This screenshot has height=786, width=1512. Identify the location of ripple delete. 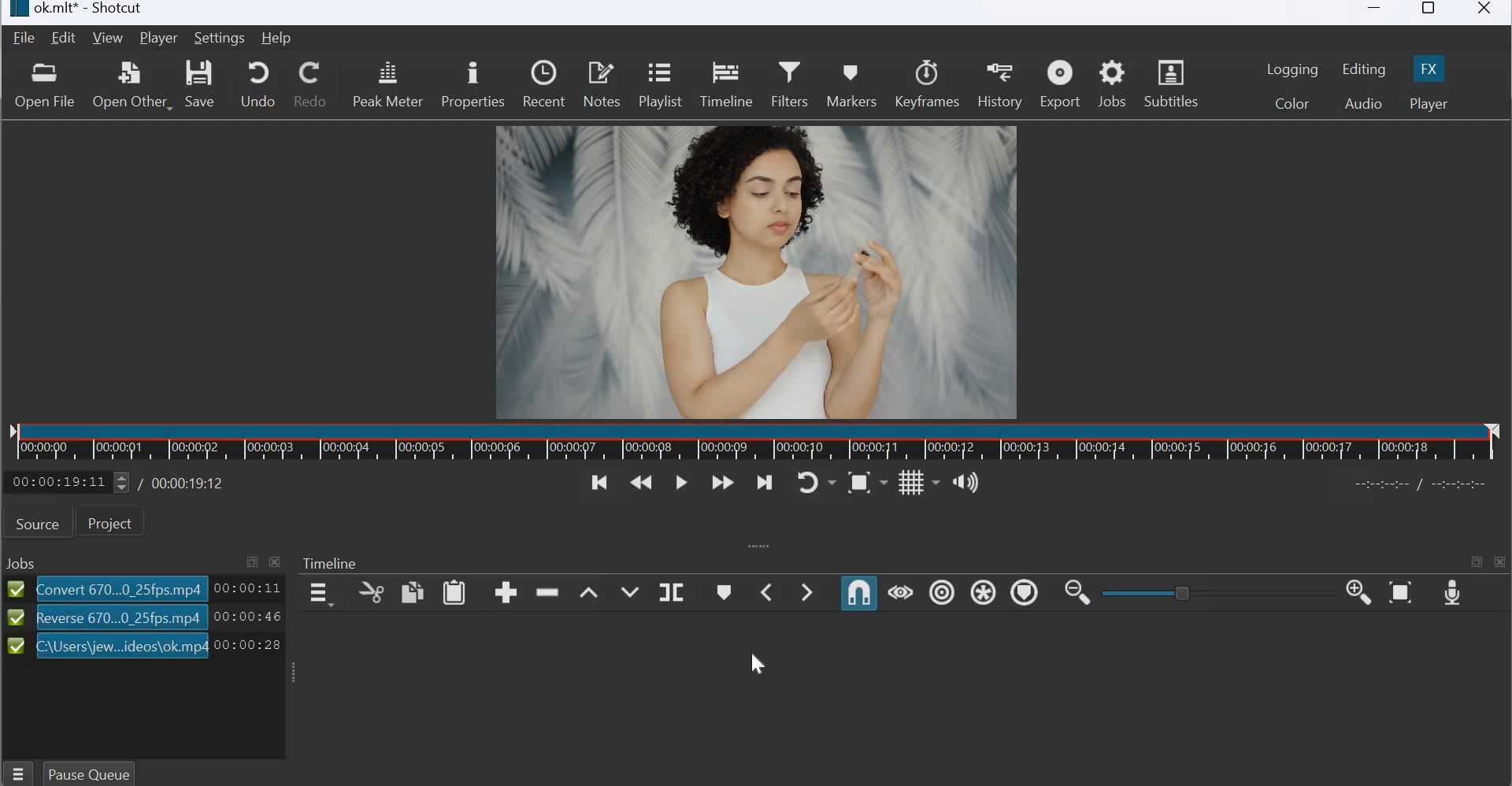
(551, 592).